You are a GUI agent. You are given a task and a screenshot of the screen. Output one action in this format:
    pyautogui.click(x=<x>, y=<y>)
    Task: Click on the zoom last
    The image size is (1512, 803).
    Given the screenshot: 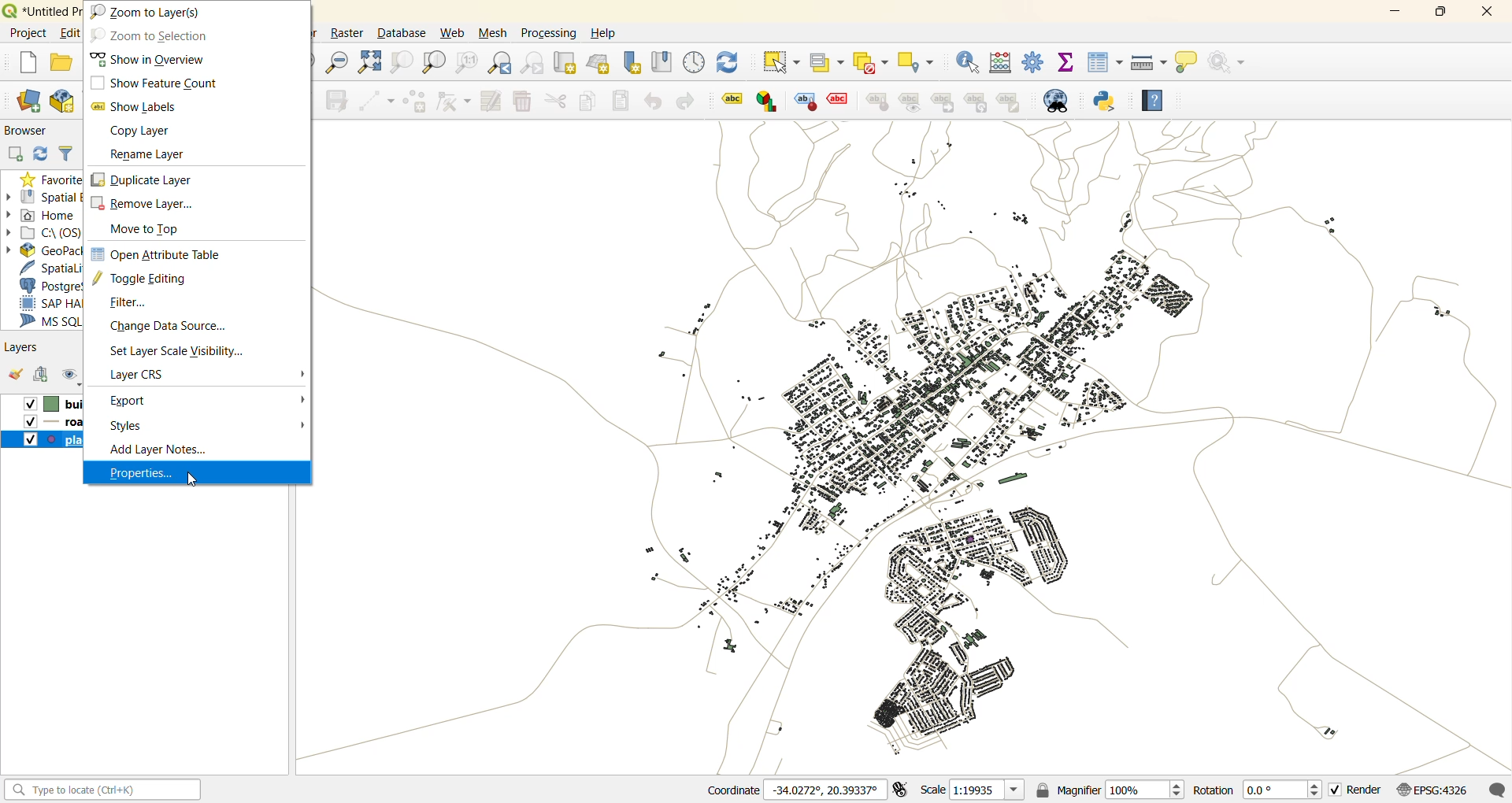 What is the action you would take?
    pyautogui.click(x=502, y=62)
    